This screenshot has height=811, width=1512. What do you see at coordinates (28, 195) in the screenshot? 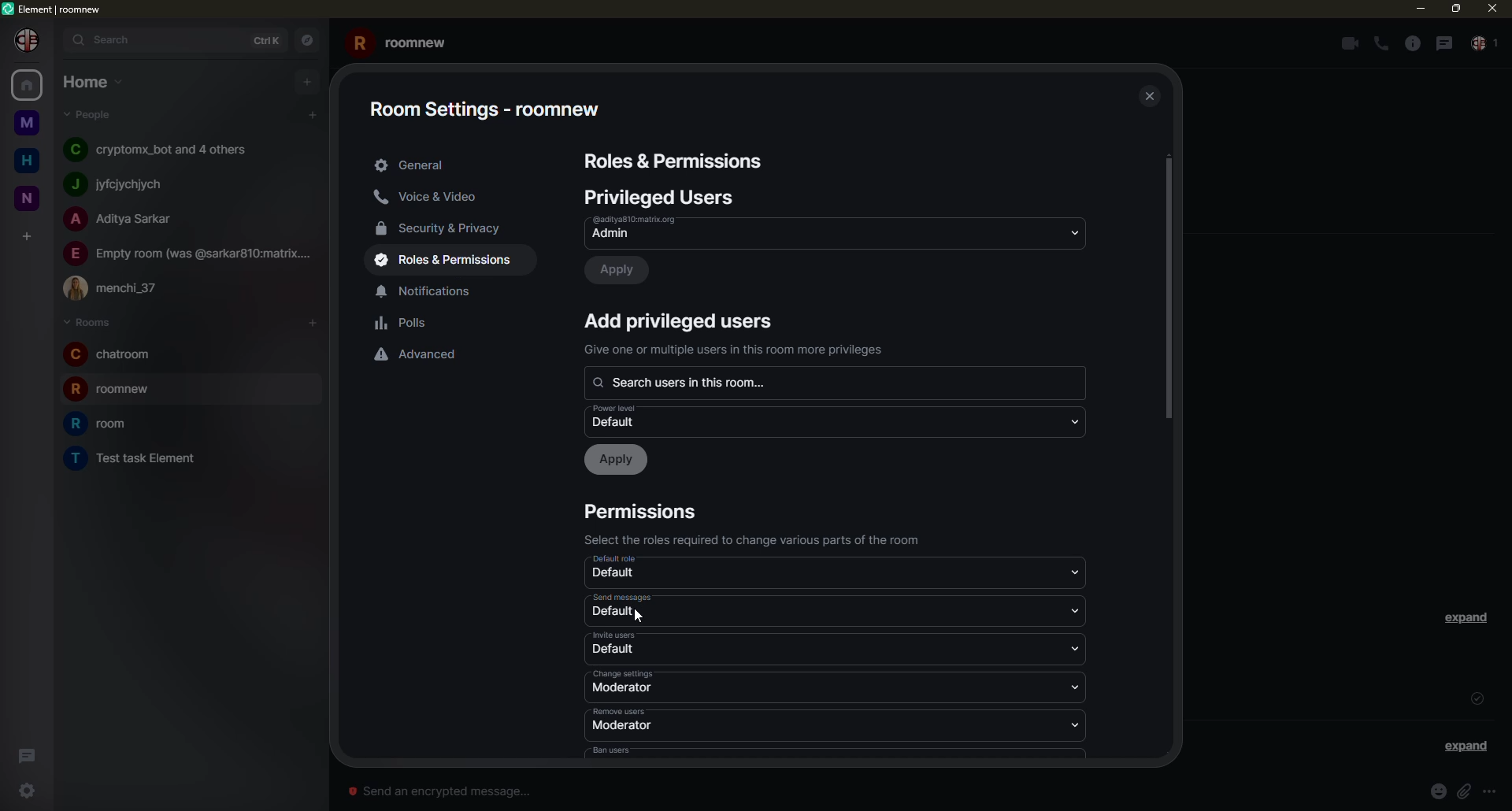
I see `new` at bounding box center [28, 195].